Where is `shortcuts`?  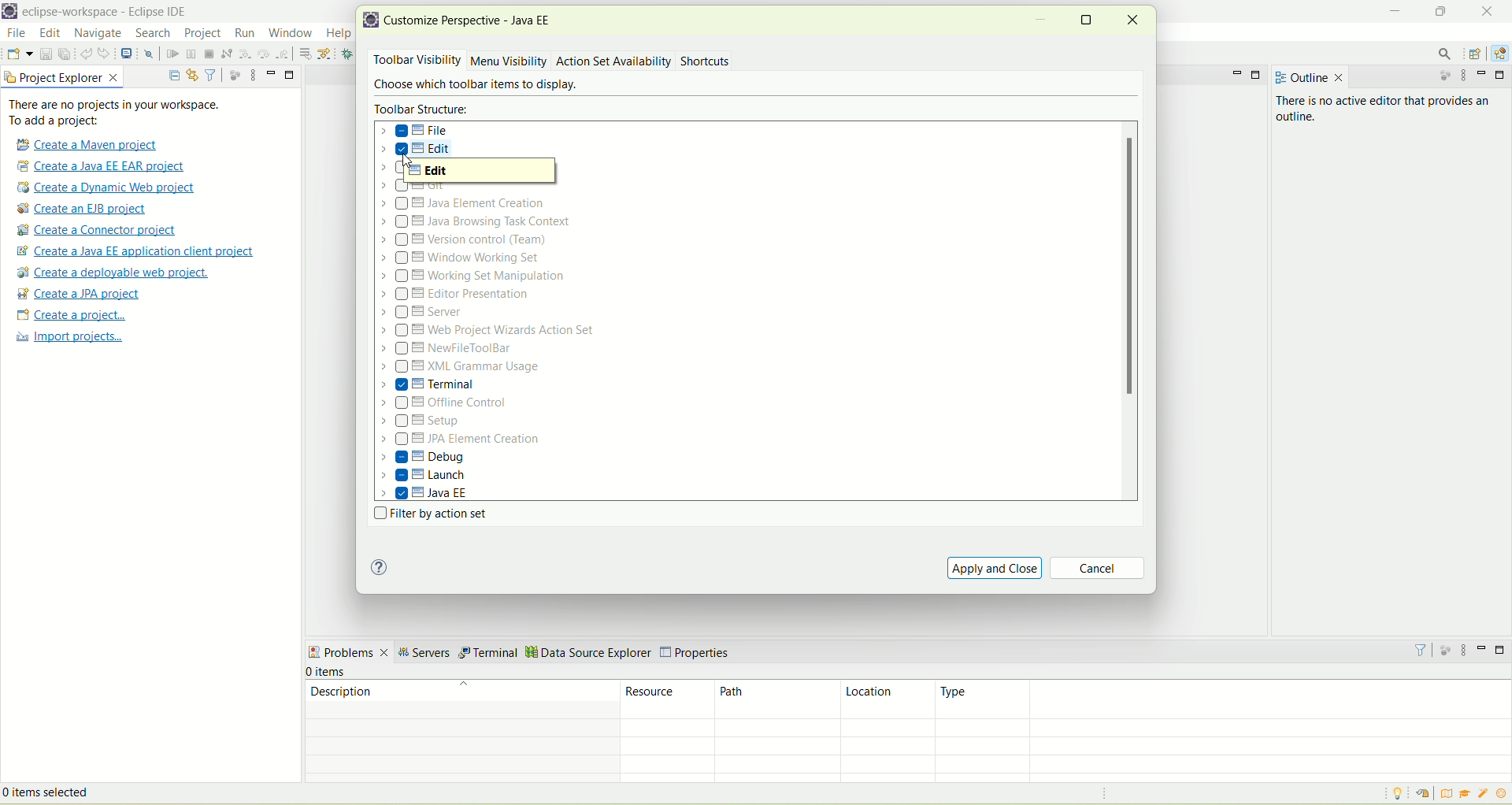
shortcuts is located at coordinates (706, 62).